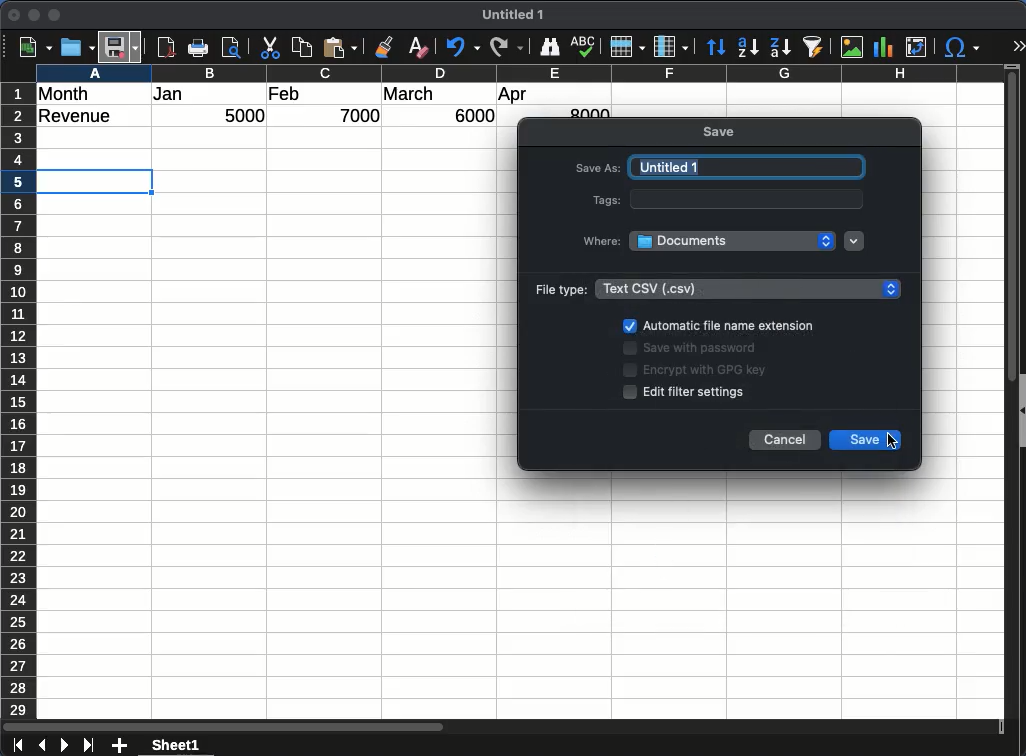  What do you see at coordinates (76, 48) in the screenshot?
I see `open` at bounding box center [76, 48].